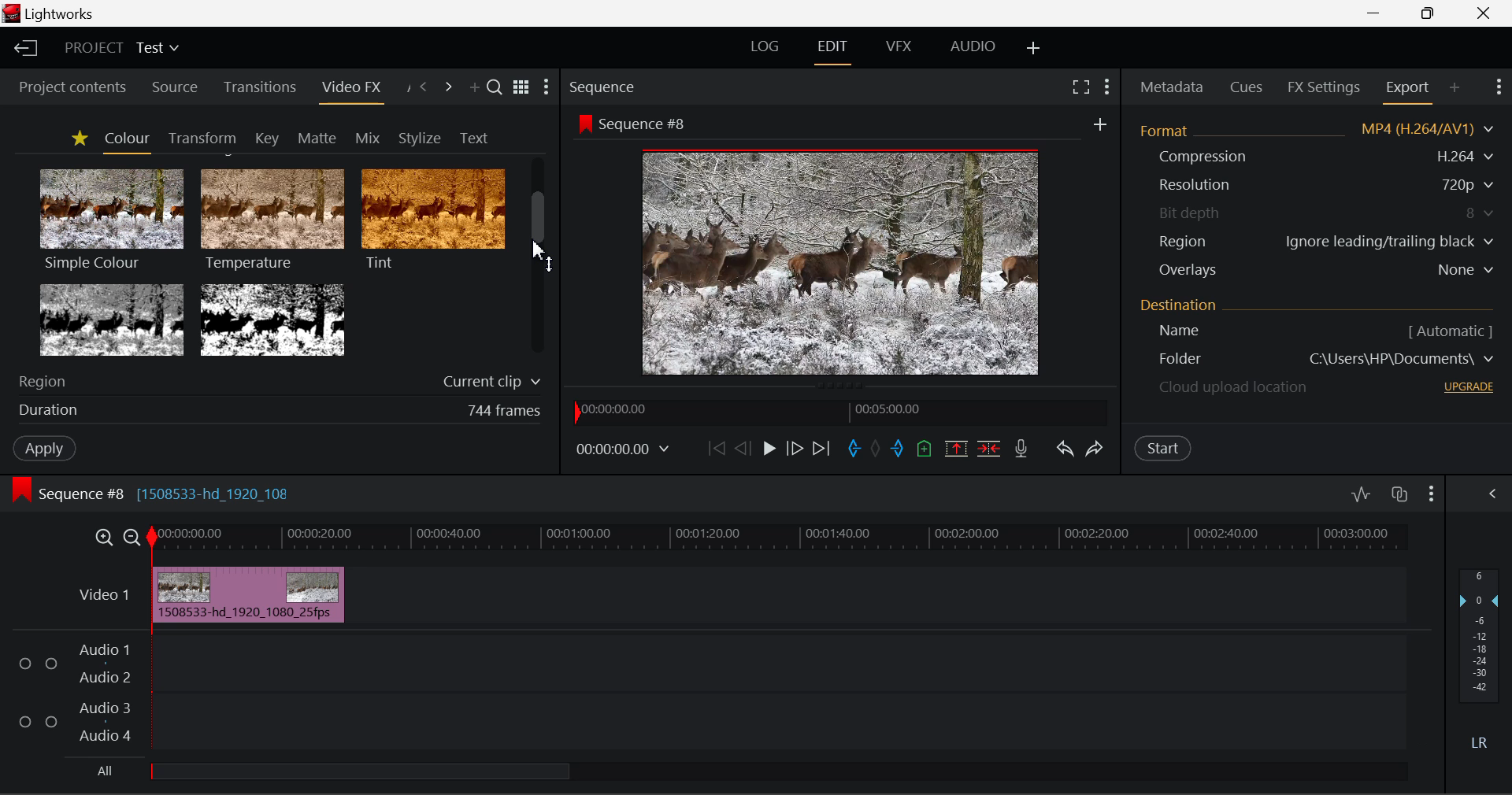 The height and width of the screenshot is (795, 1512). Describe the element at coordinates (954, 449) in the screenshot. I see `Remove marked section` at that location.